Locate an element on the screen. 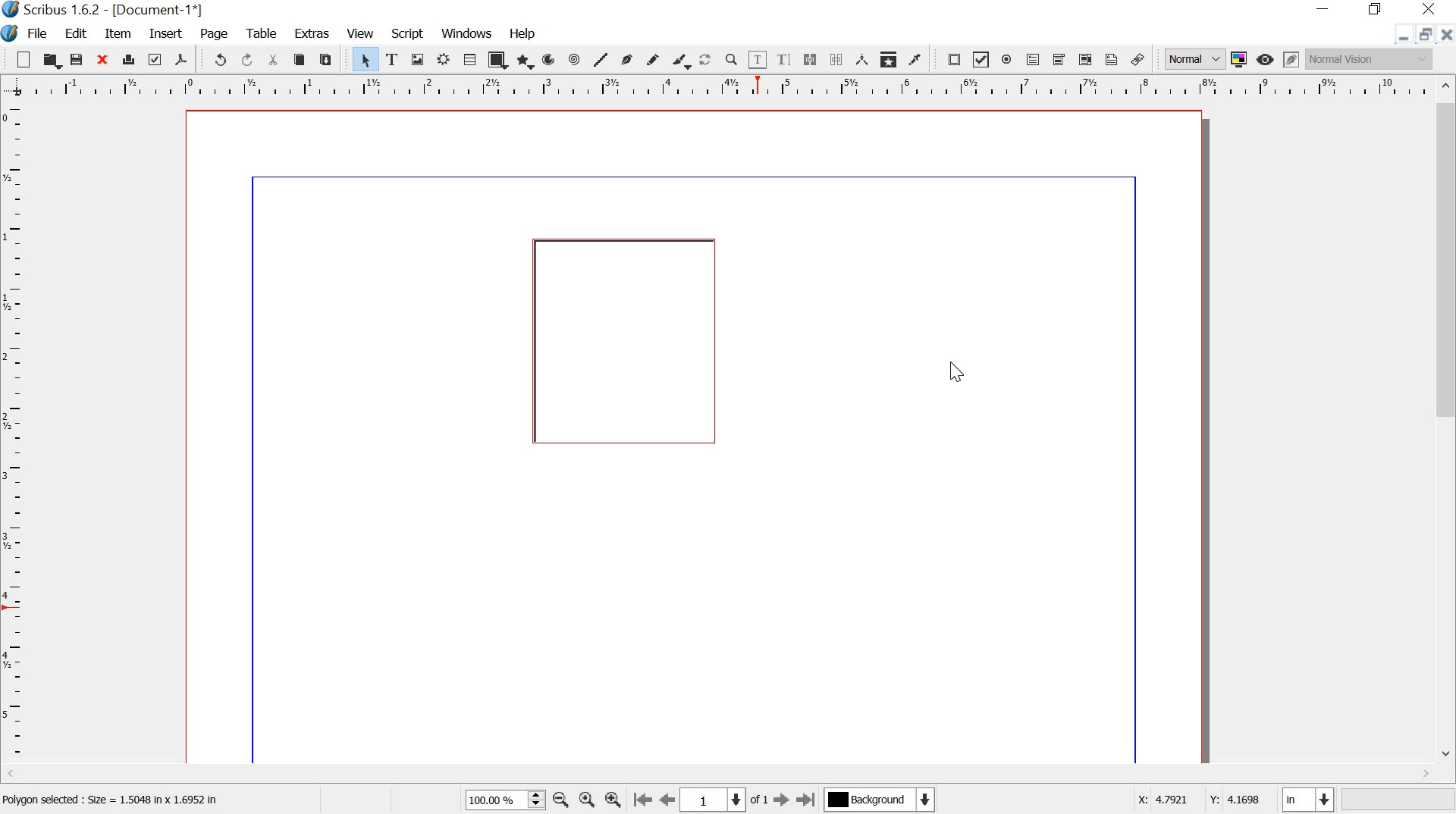 Image resolution: width=1456 pixels, height=814 pixels. undo is located at coordinates (215, 58).